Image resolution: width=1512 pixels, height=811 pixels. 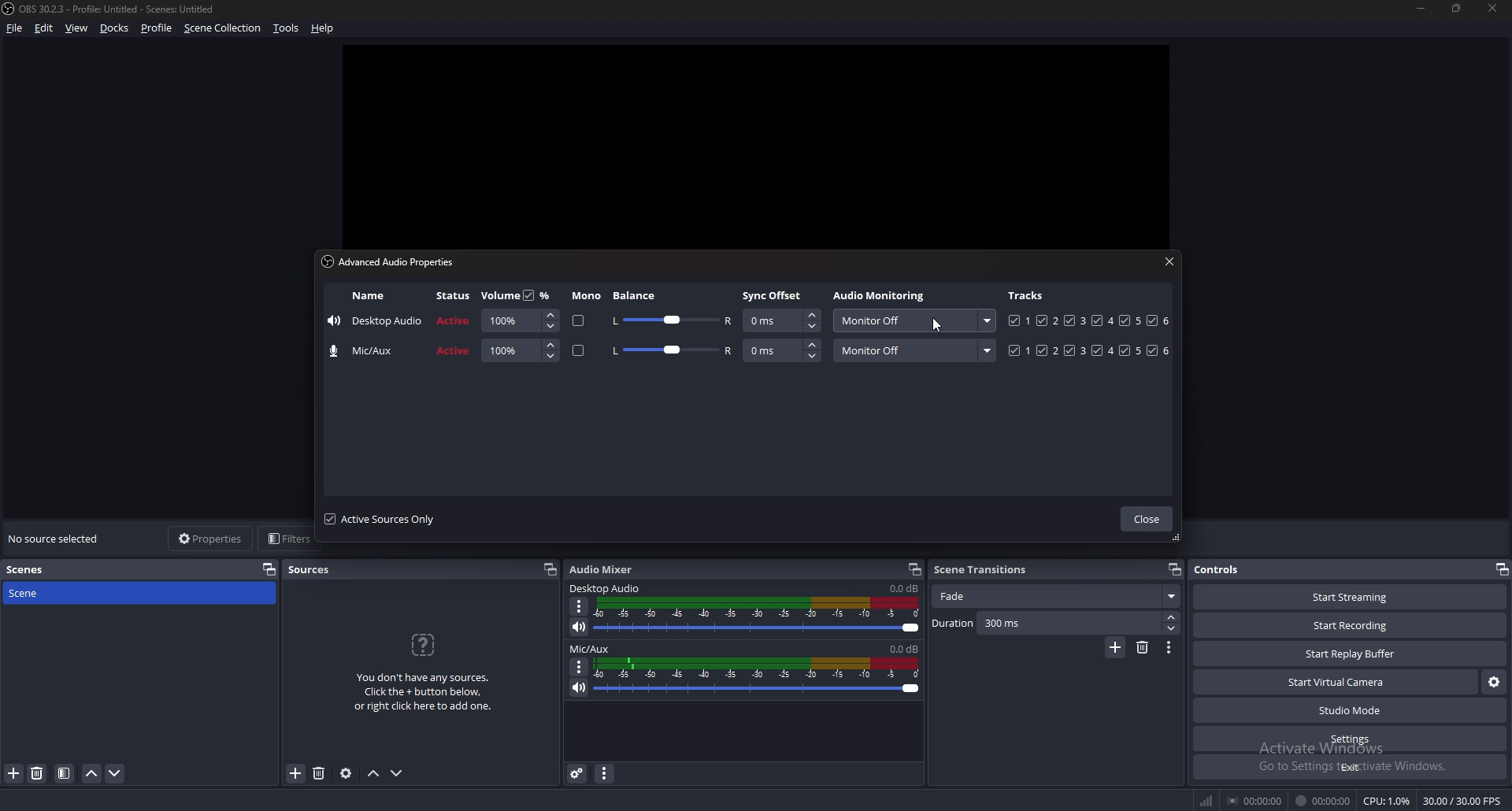 I want to click on 00:00:00, so click(x=1255, y=802).